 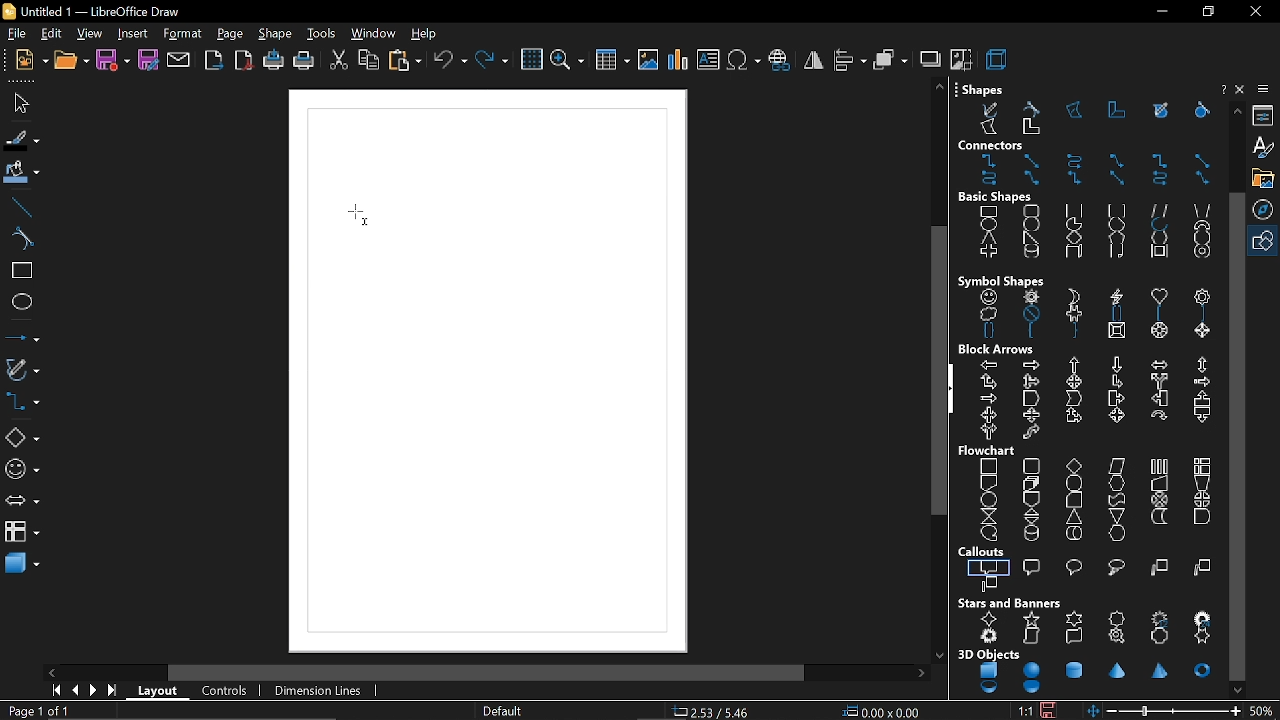 I want to click on attach, so click(x=179, y=62).